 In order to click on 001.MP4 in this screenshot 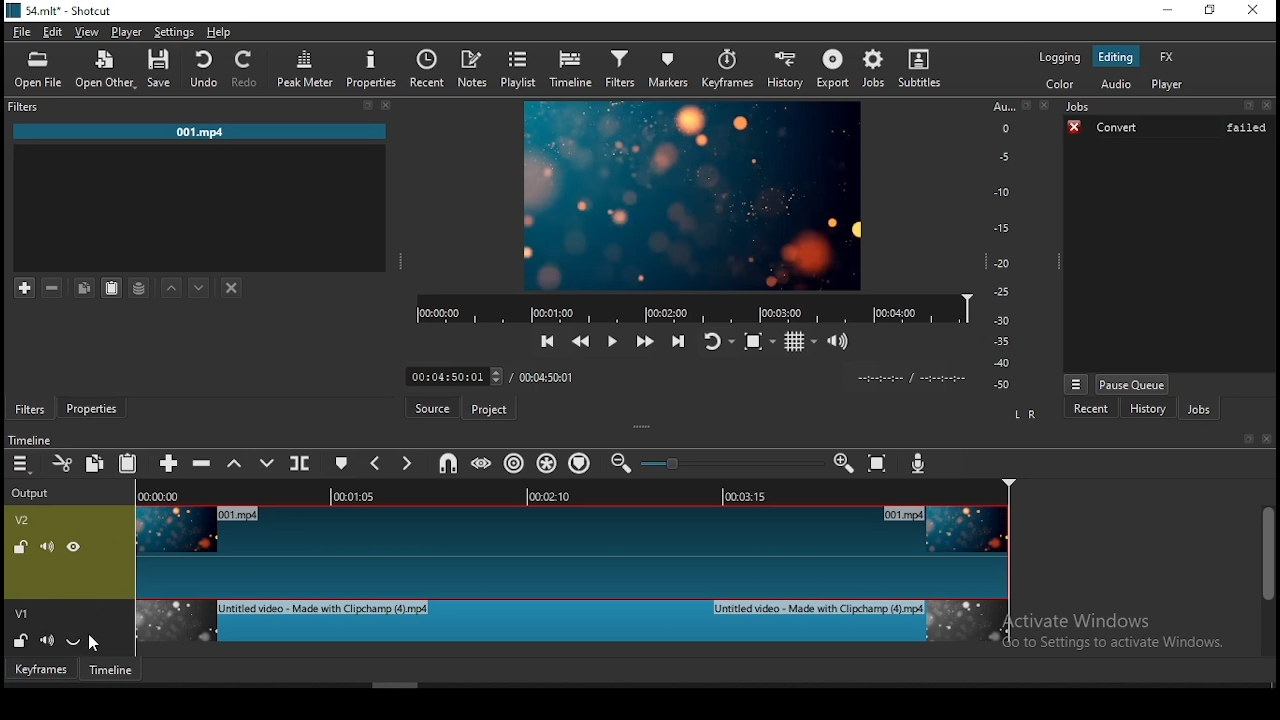, I will do `click(199, 132)`.